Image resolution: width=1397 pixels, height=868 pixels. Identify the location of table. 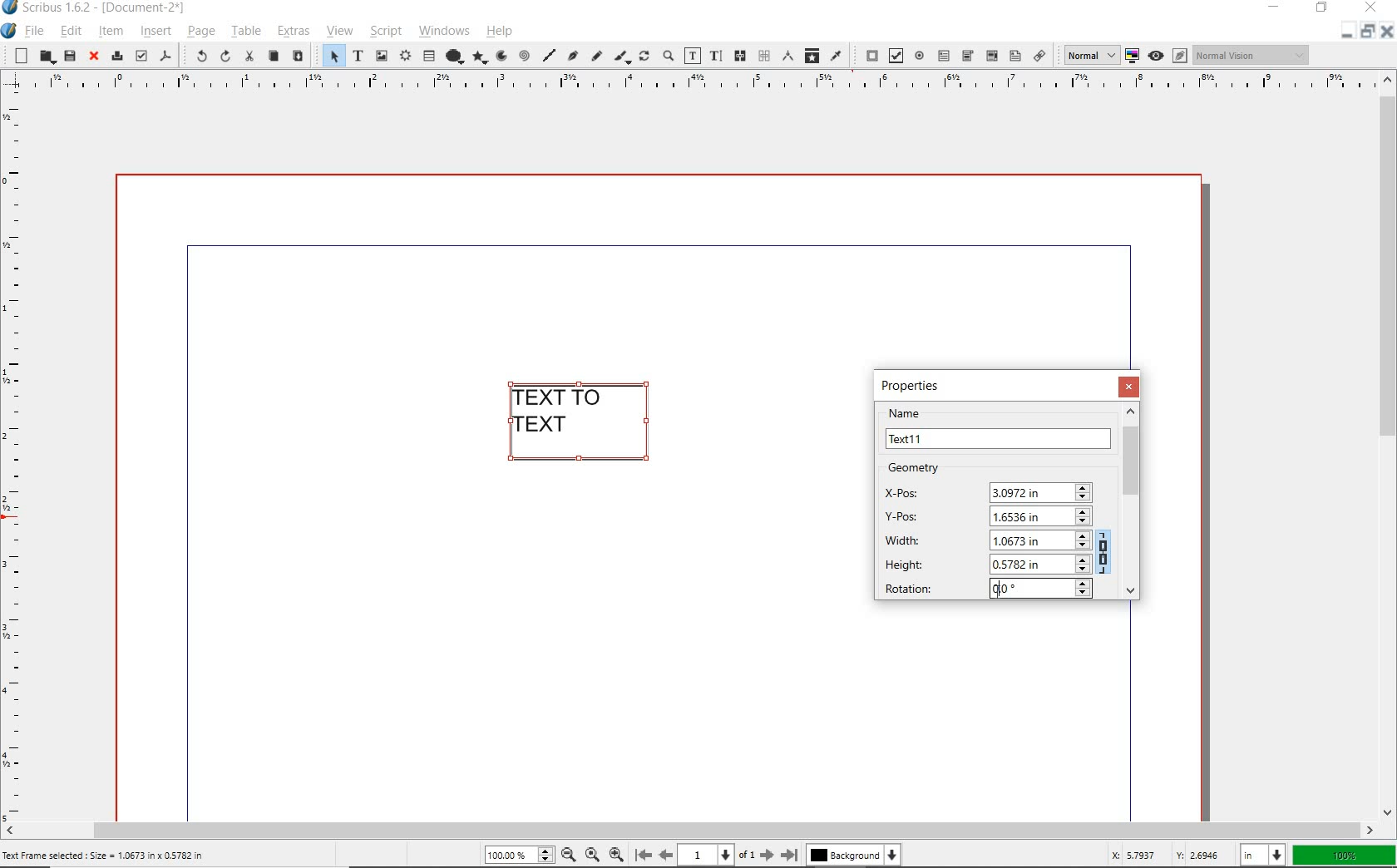
(244, 31).